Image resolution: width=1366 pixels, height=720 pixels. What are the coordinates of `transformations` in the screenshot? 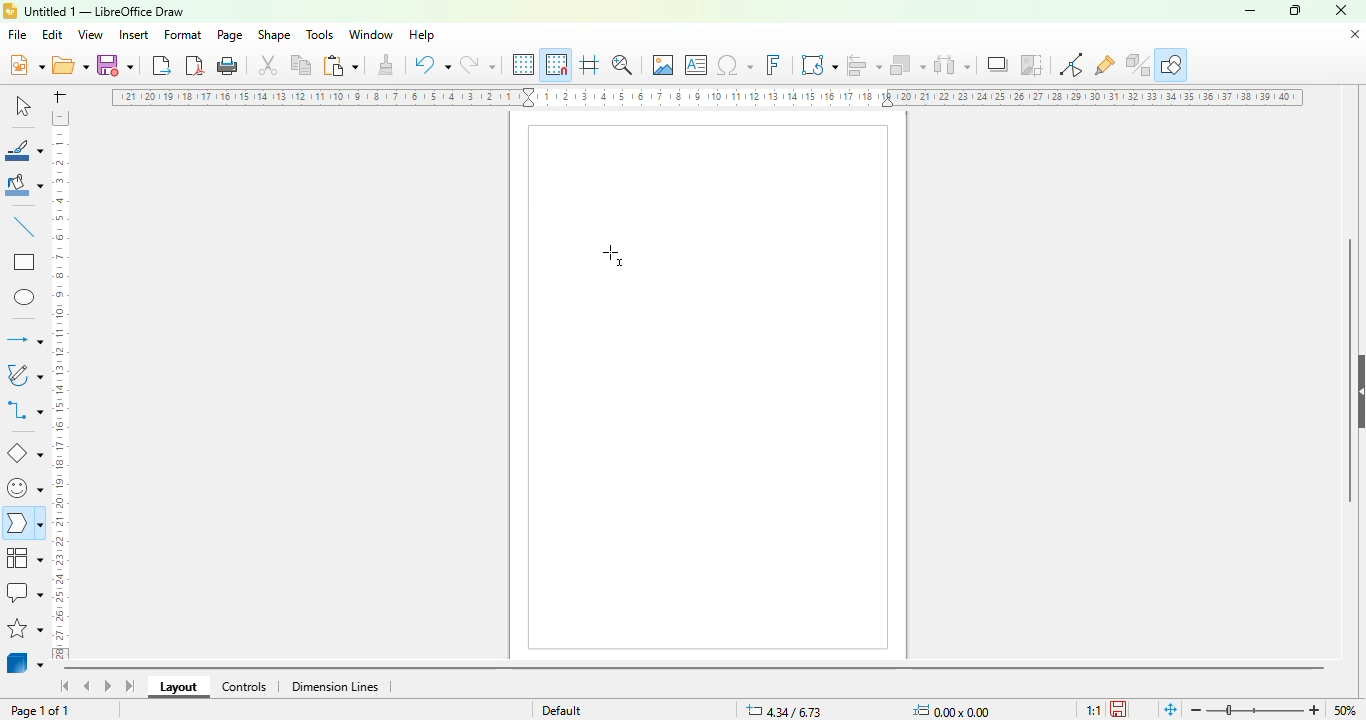 It's located at (819, 64).